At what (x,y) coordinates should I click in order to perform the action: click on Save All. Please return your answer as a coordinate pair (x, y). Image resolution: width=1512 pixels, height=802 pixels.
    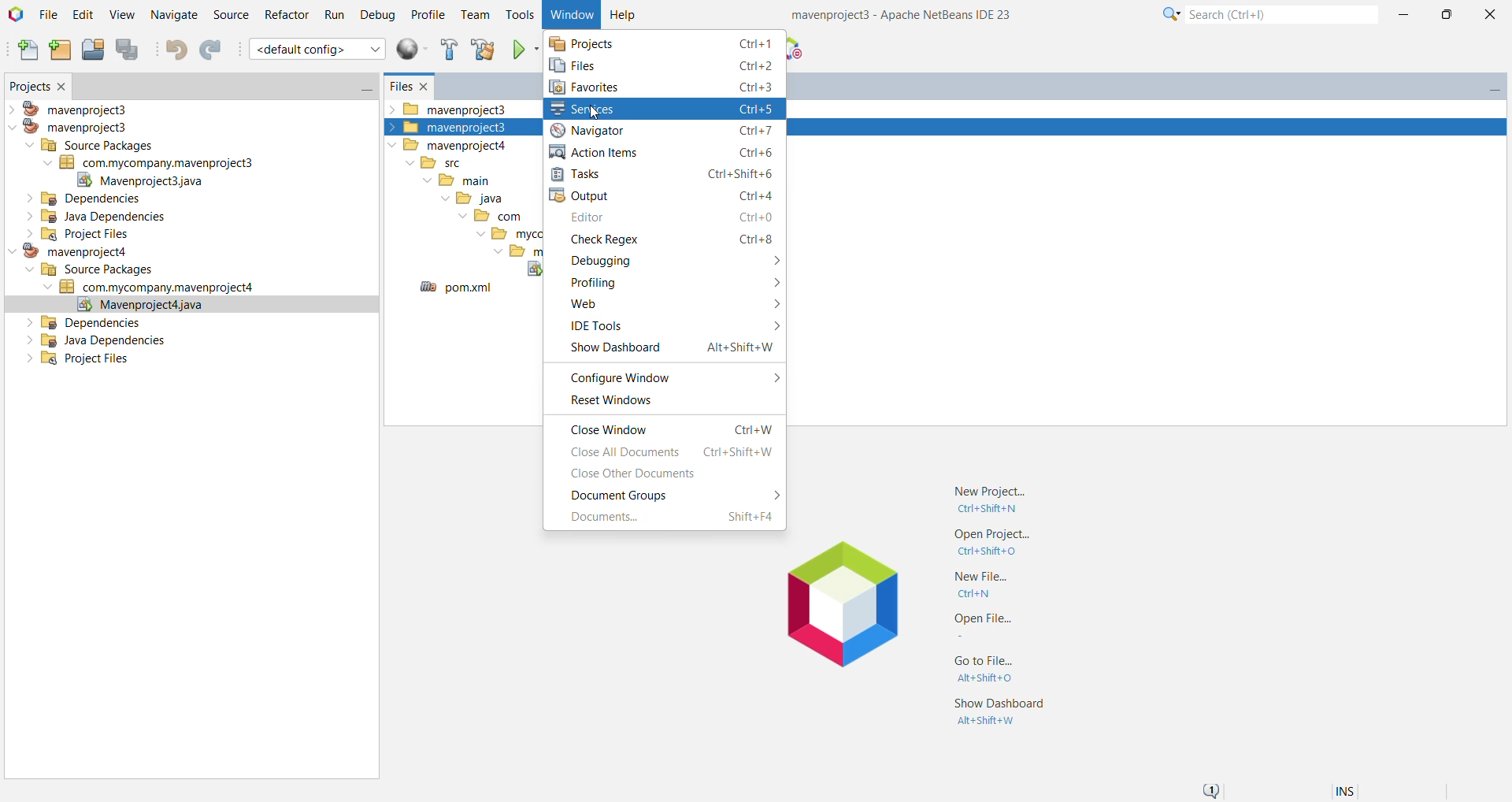
    Looking at the image, I should click on (130, 51).